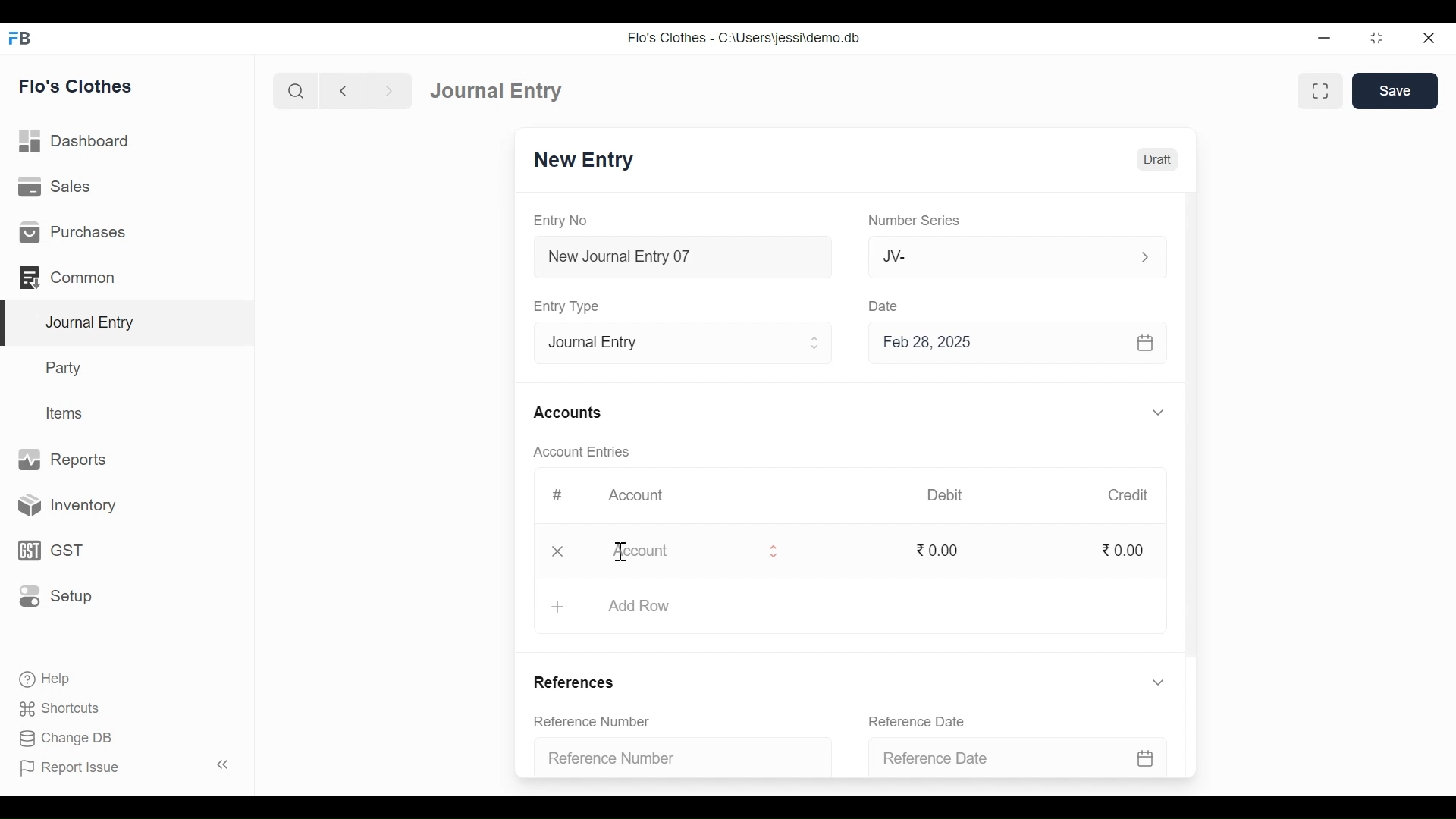 The height and width of the screenshot is (819, 1456). Describe the element at coordinates (581, 451) in the screenshot. I see `Account Entries` at that location.